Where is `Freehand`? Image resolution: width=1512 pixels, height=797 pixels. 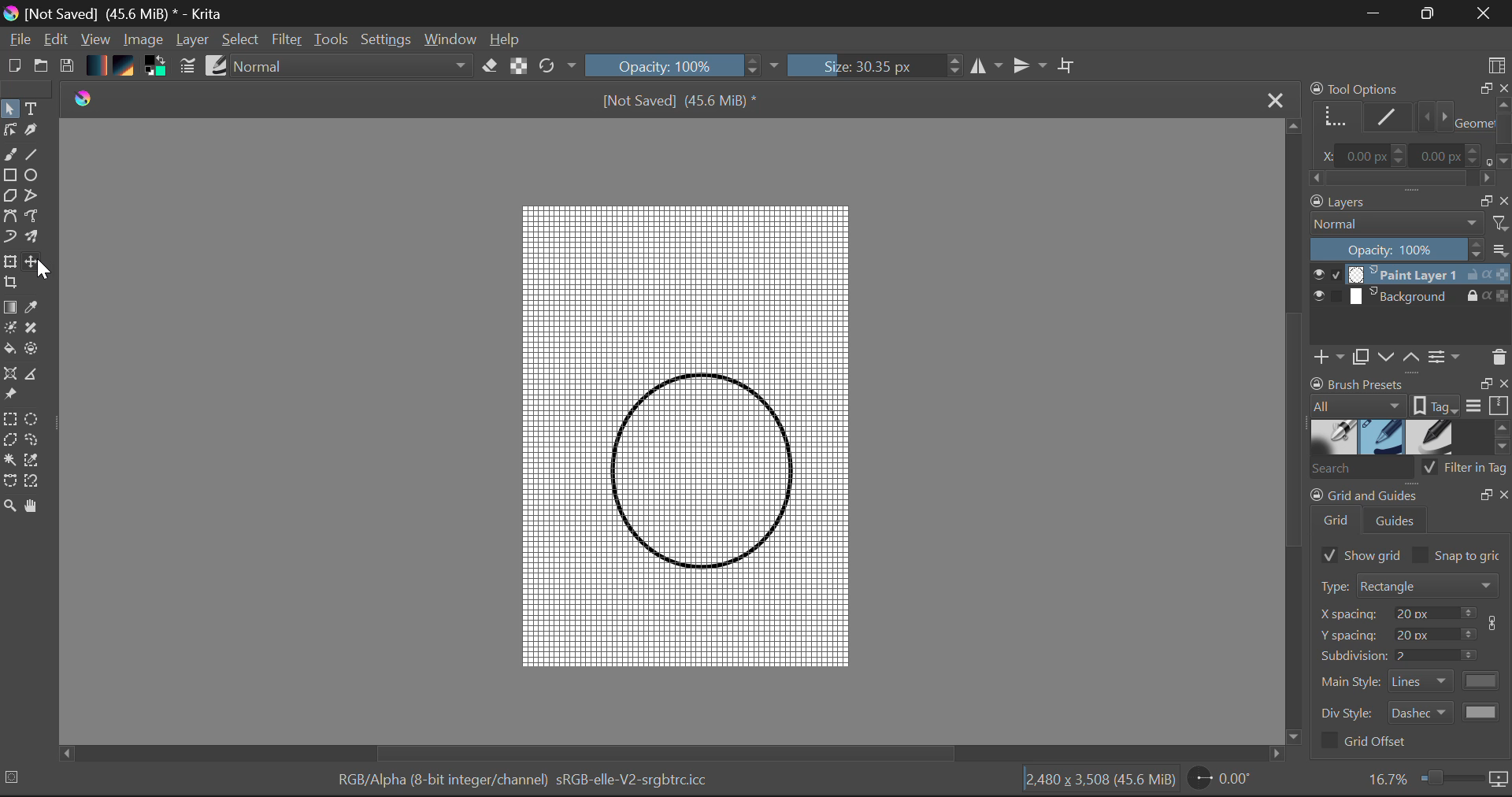
Freehand is located at coordinates (9, 155).